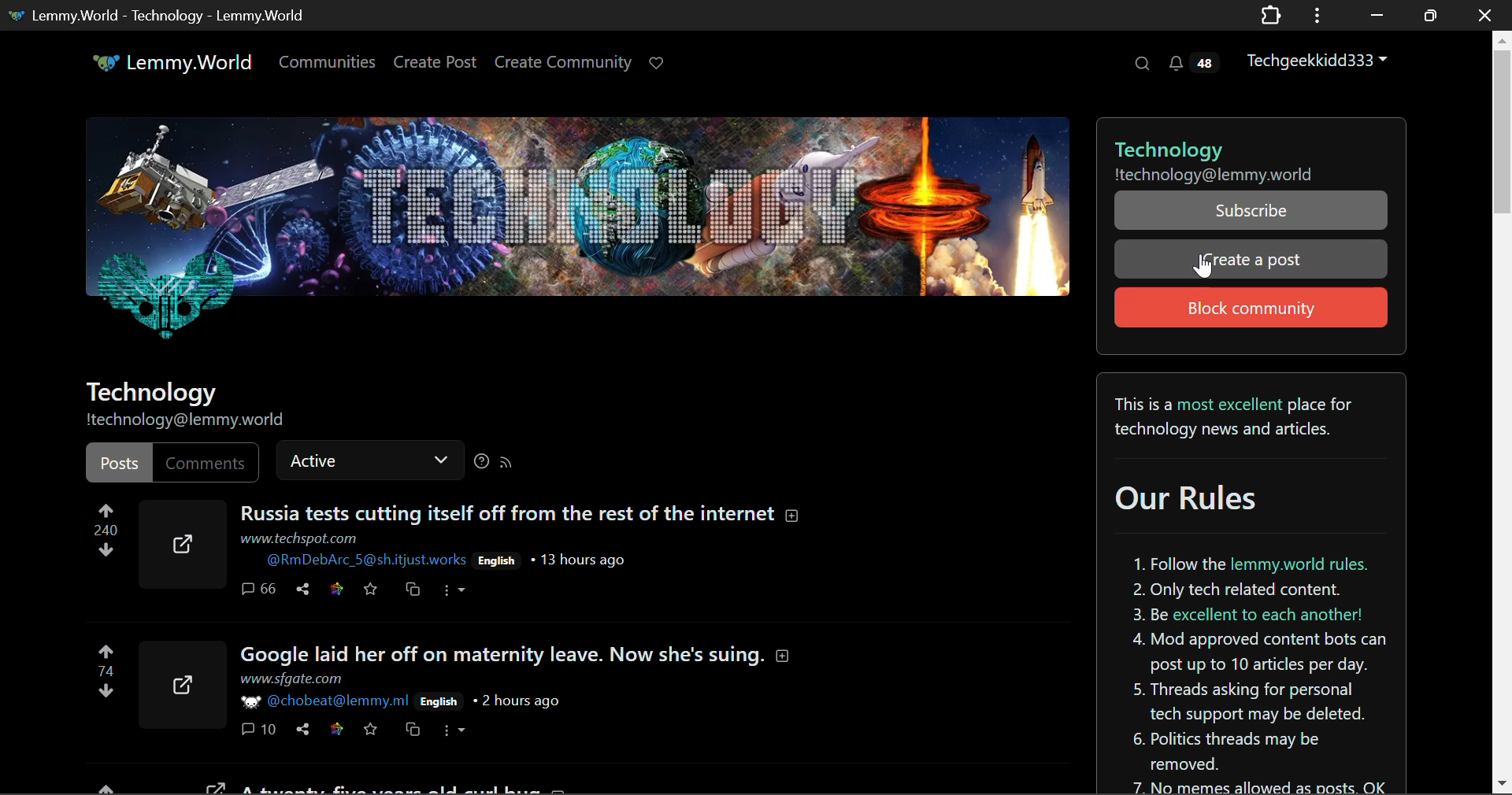 This screenshot has width=1512, height=795. Describe the element at coordinates (452, 592) in the screenshot. I see `More Options` at that location.